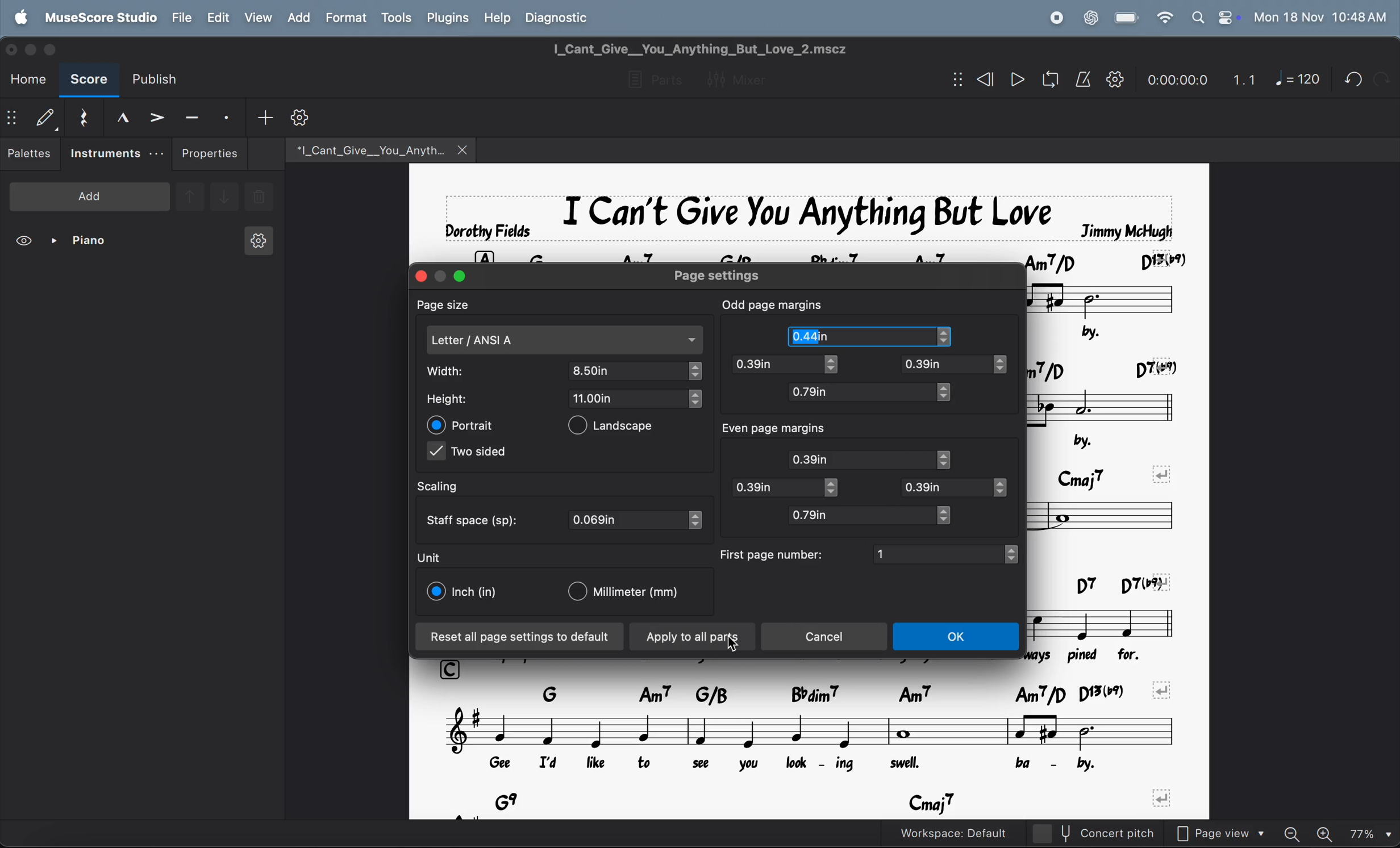 Image resolution: width=1400 pixels, height=848 pixels. What do you see at coordinates (1007, 365) in the screenshot?
I see `toggle` at bounding box center [1007, 365].